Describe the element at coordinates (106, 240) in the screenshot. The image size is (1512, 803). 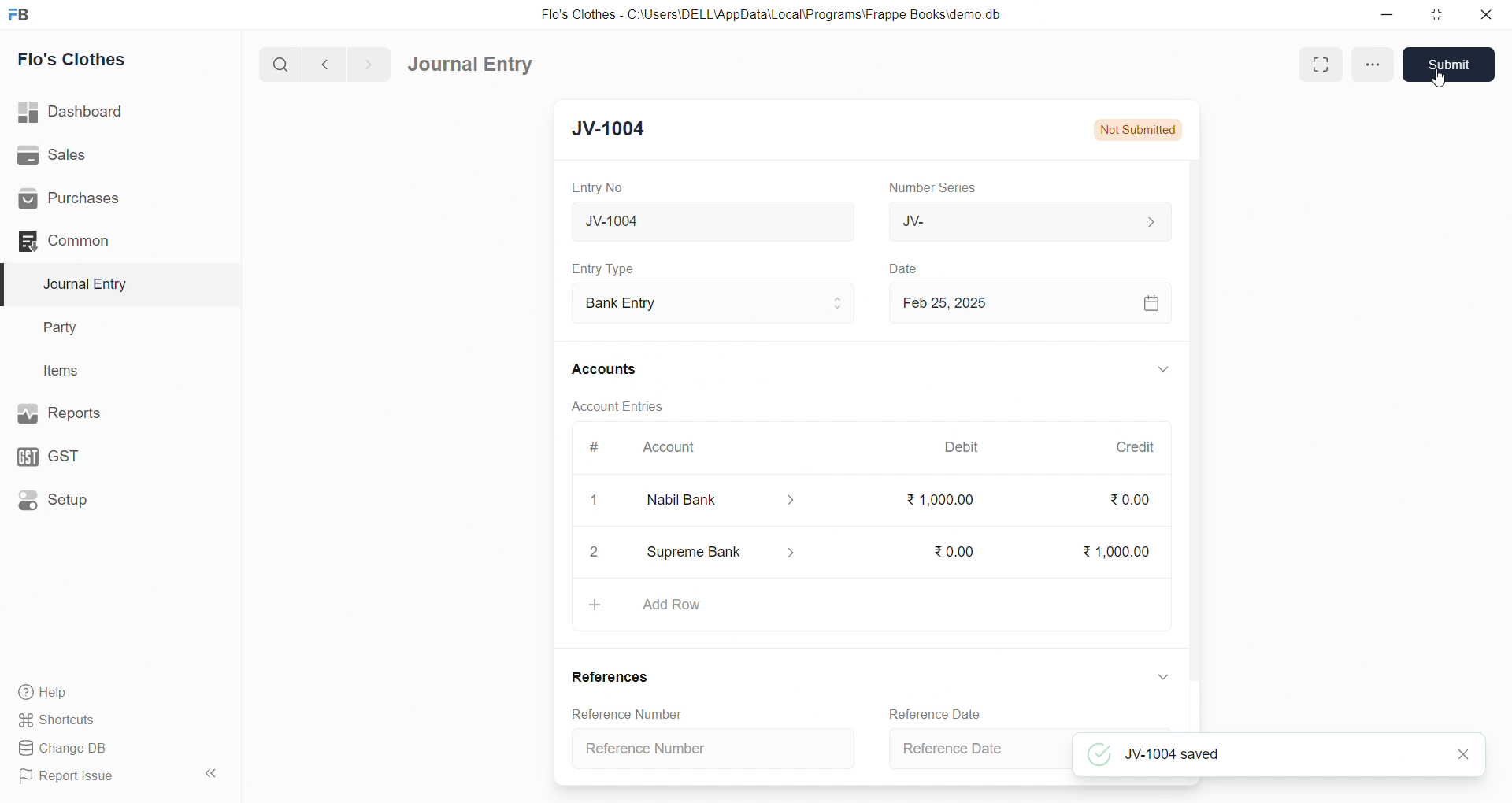
I see `Common` at that location.